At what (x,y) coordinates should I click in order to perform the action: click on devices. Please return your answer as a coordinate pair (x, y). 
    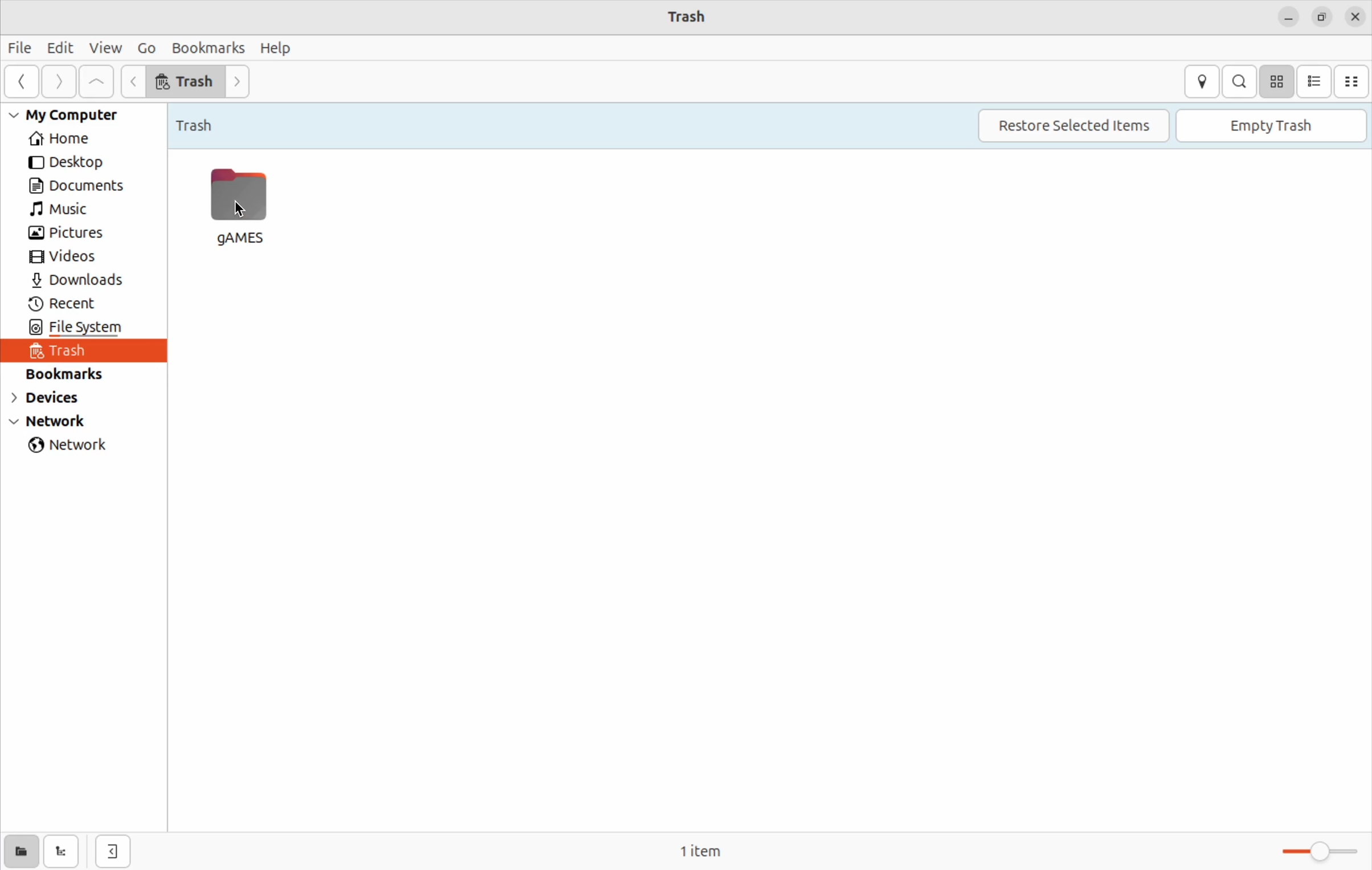
    Looking at the image, I should click on (58, 400).